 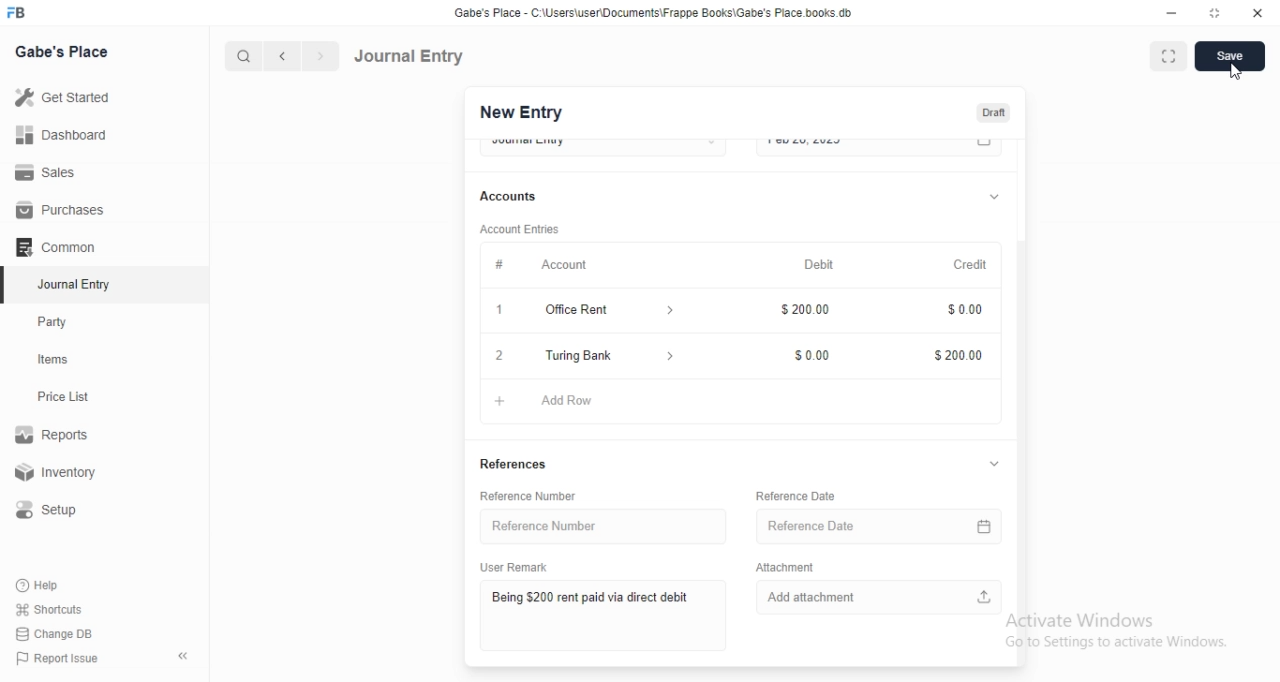 I want to click on Account Entries., so click(x=518, y=229).